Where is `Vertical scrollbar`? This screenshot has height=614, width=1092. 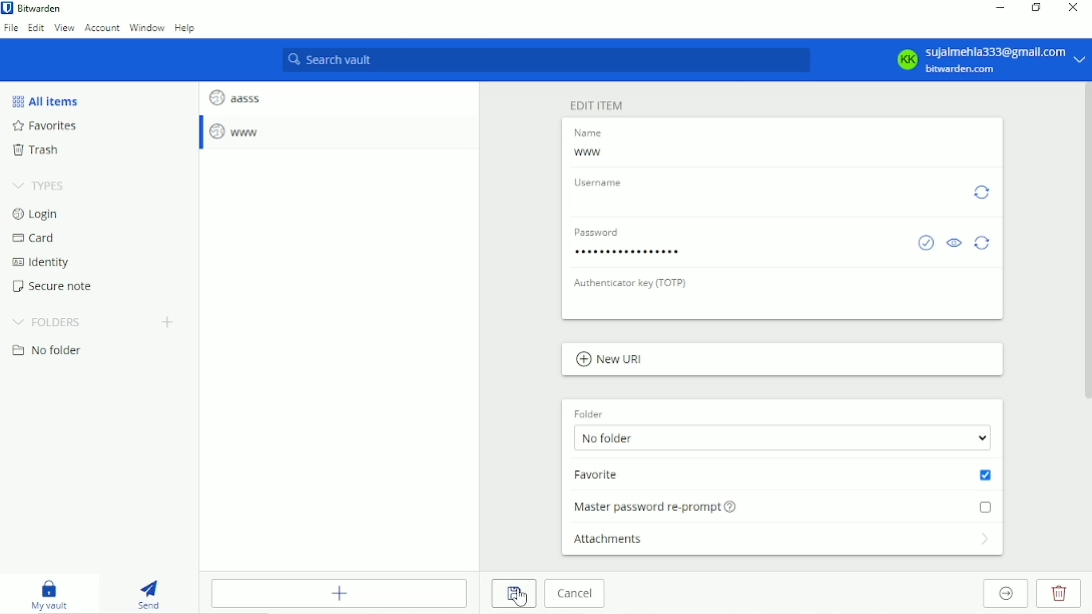 Vertical scrollbar is located at coordinates (1085, 244).